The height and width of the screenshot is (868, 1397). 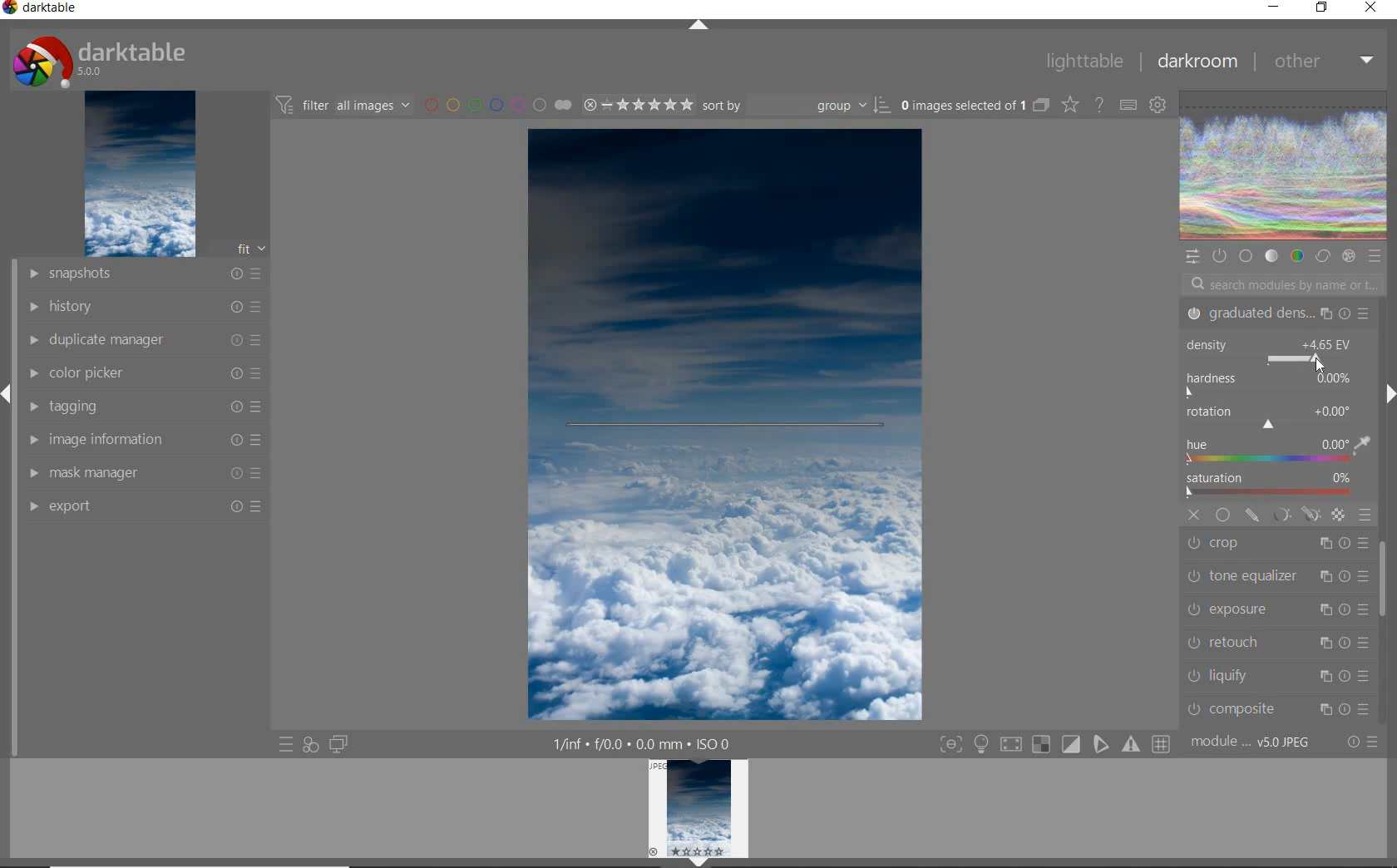 I want to click on Next, so click(x=1389, y=394).